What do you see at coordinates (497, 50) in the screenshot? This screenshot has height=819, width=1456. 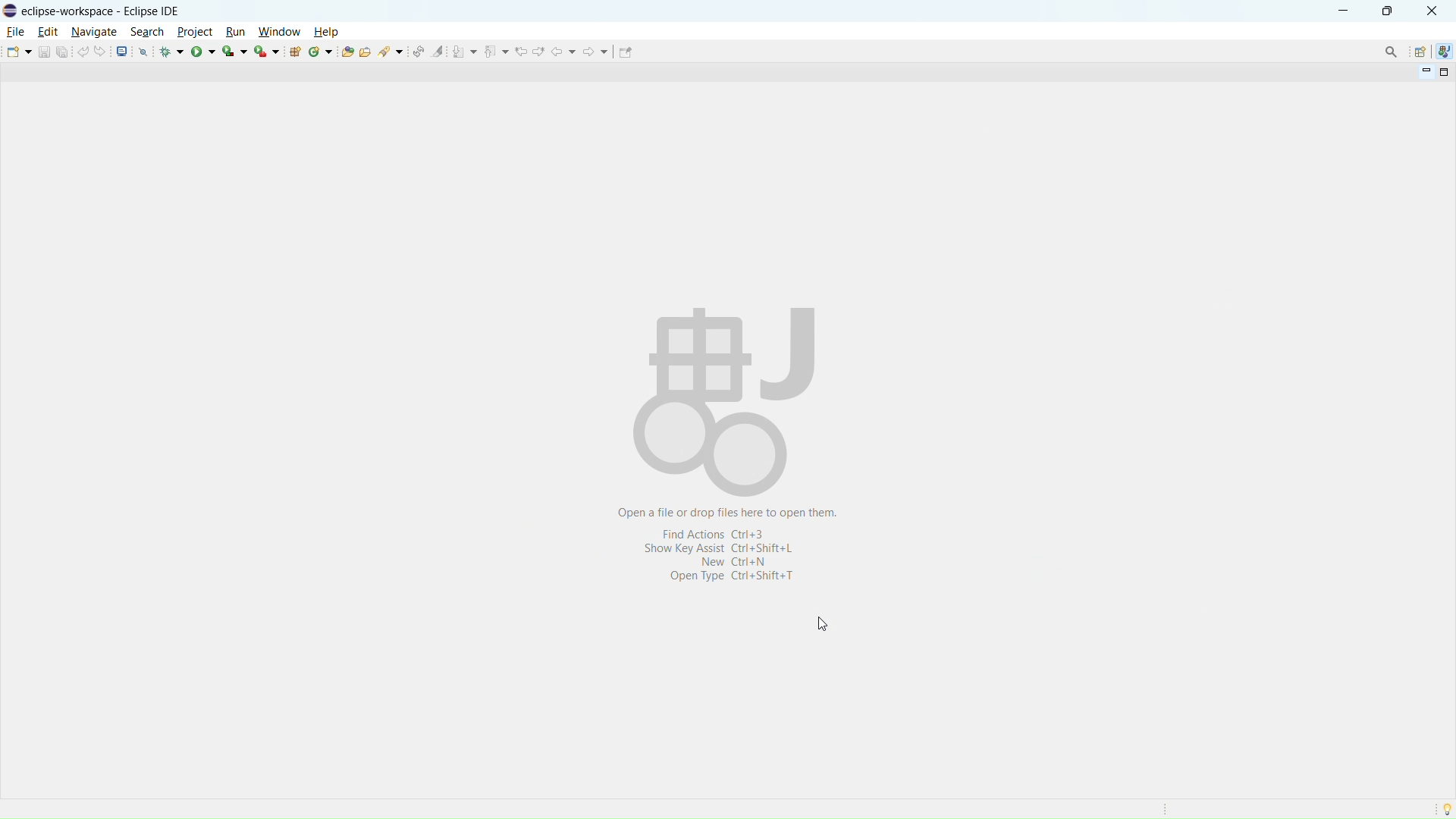 I see `previous annotation` at bounding box center [497, 50].